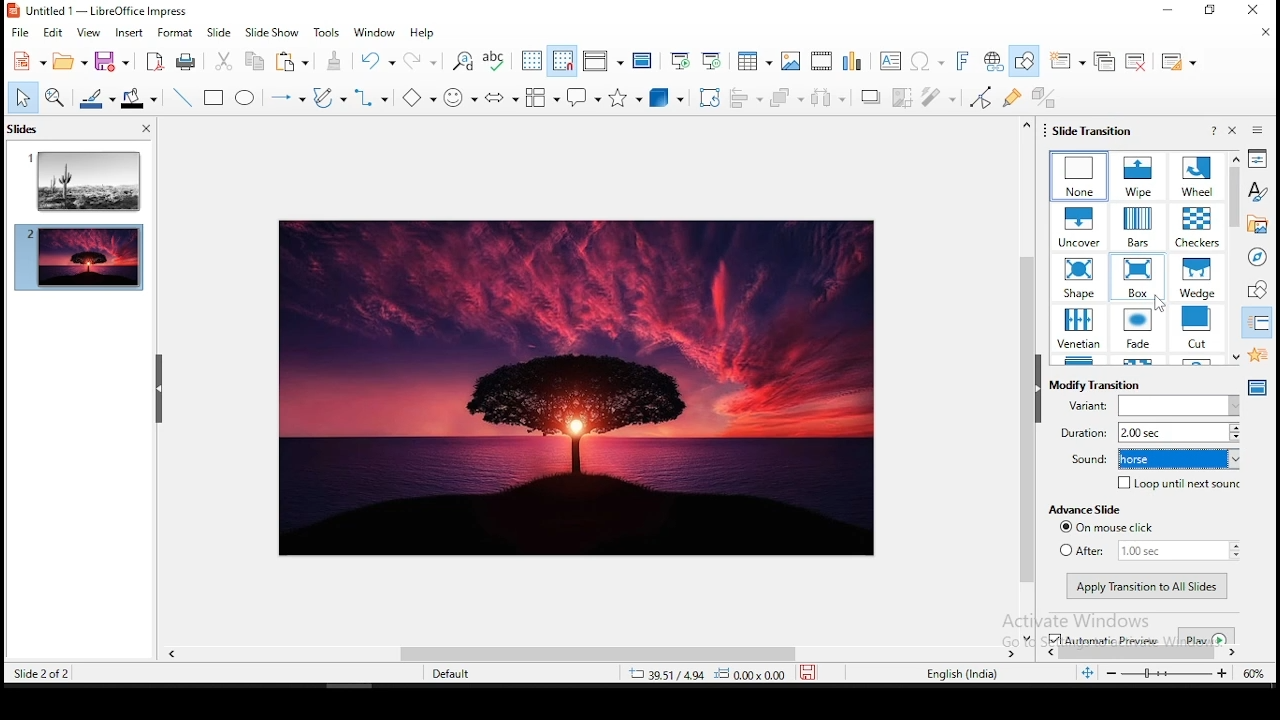 The image size is (1280, 720). What do you see at coordinates (98, 11) in the screenshot?
I see `icon and filename` at bounding box center [98, 11].